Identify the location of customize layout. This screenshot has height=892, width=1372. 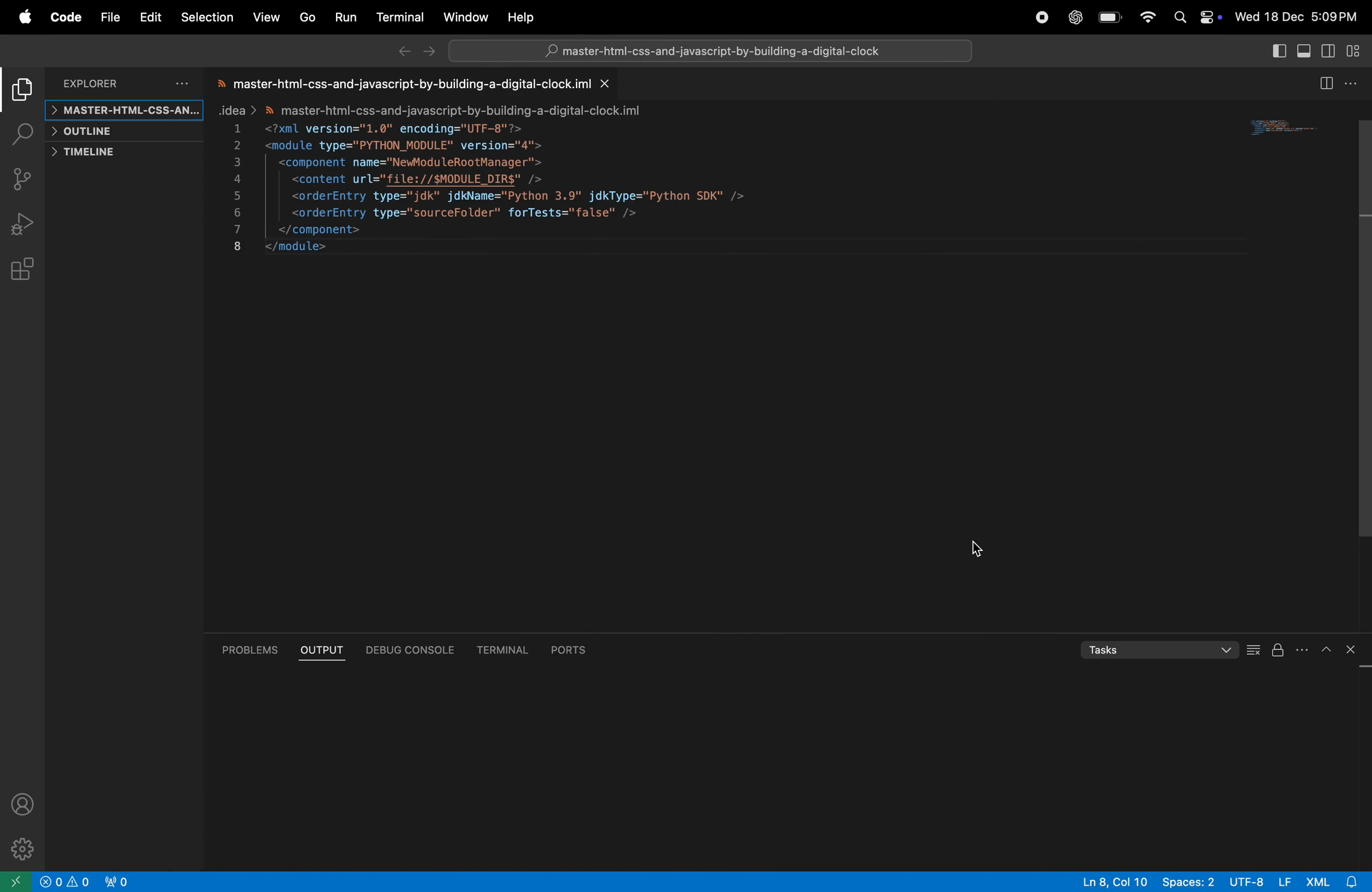
(1358, 52).